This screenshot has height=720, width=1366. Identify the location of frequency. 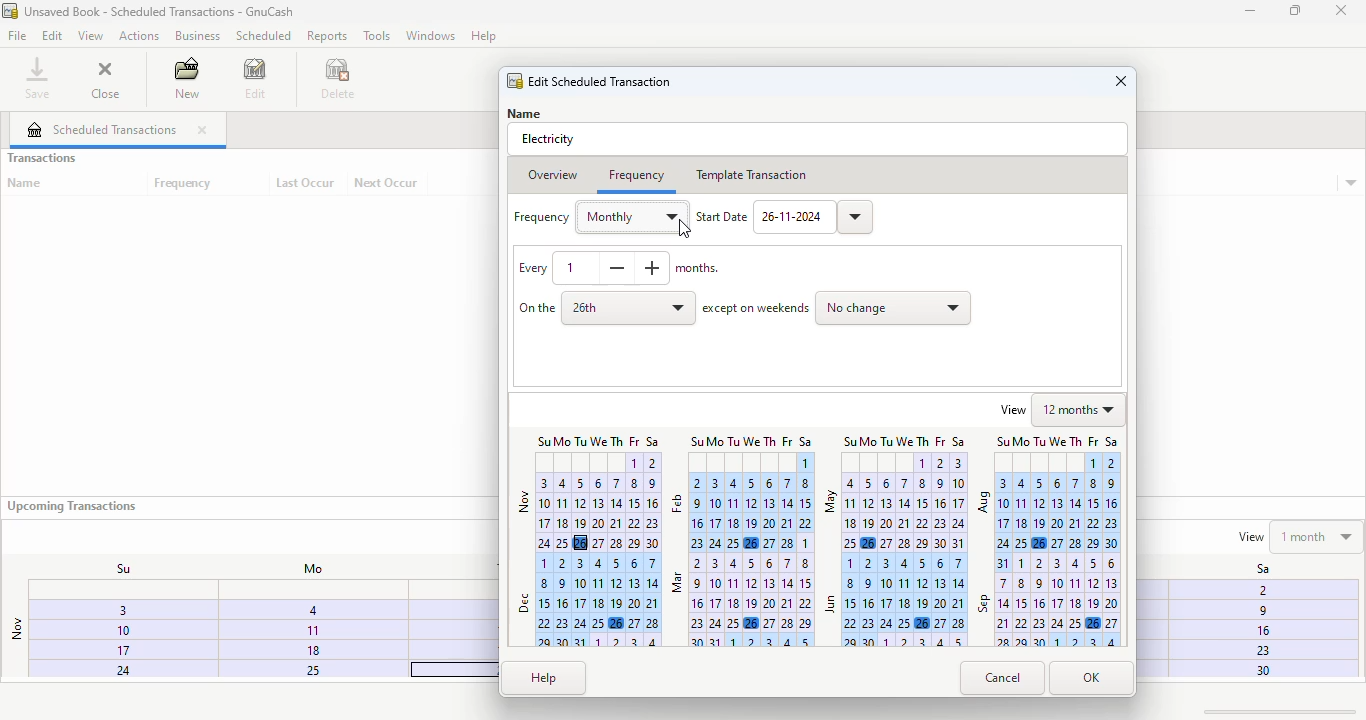
(635, 174).